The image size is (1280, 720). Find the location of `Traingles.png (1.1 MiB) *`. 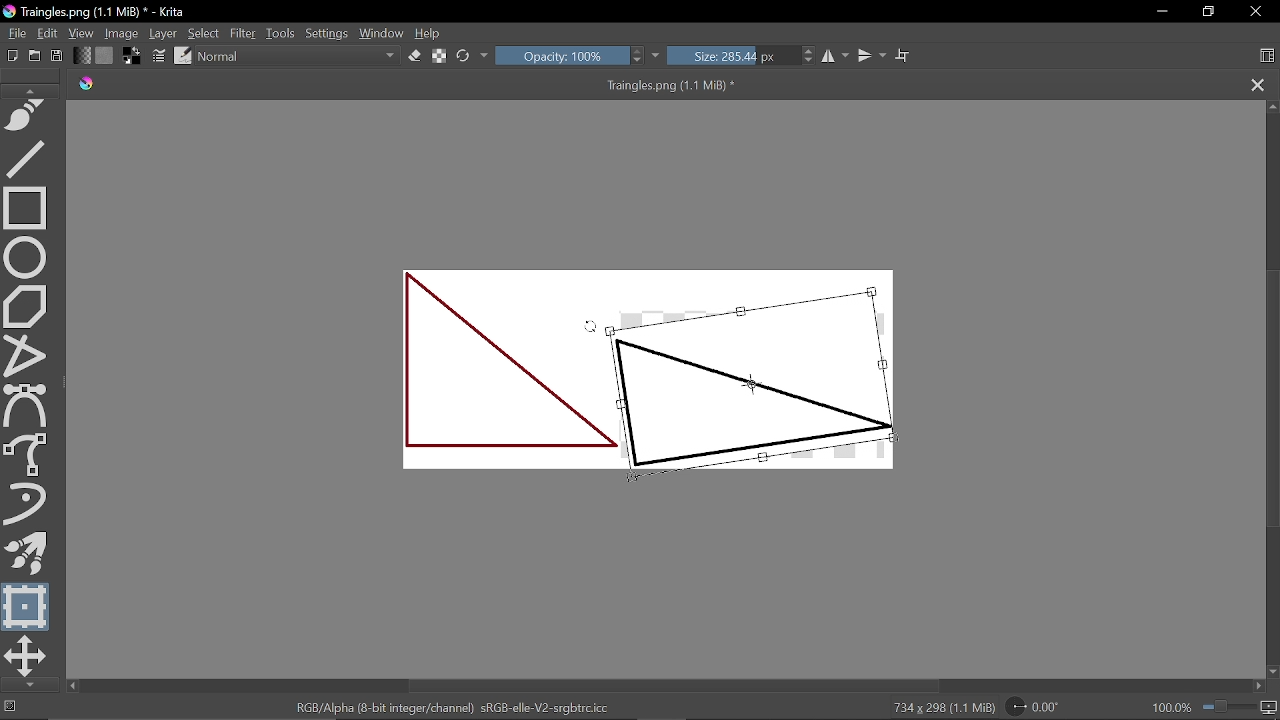

Traingles.png (1.1 MiB) * is located at coordinates (438, 85).